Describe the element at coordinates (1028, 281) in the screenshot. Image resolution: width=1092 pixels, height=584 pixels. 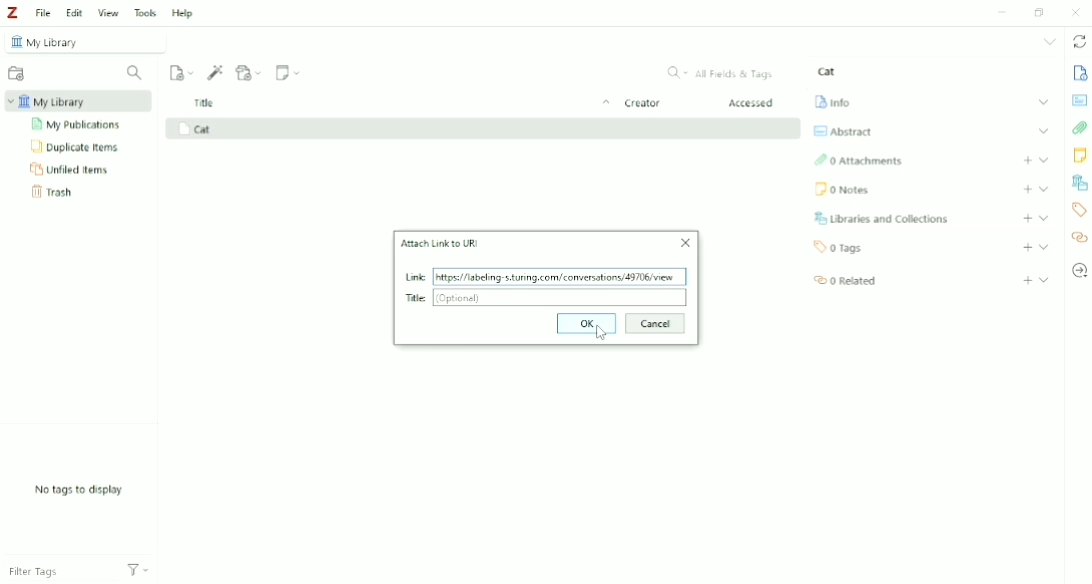
I see `Add` at that location.